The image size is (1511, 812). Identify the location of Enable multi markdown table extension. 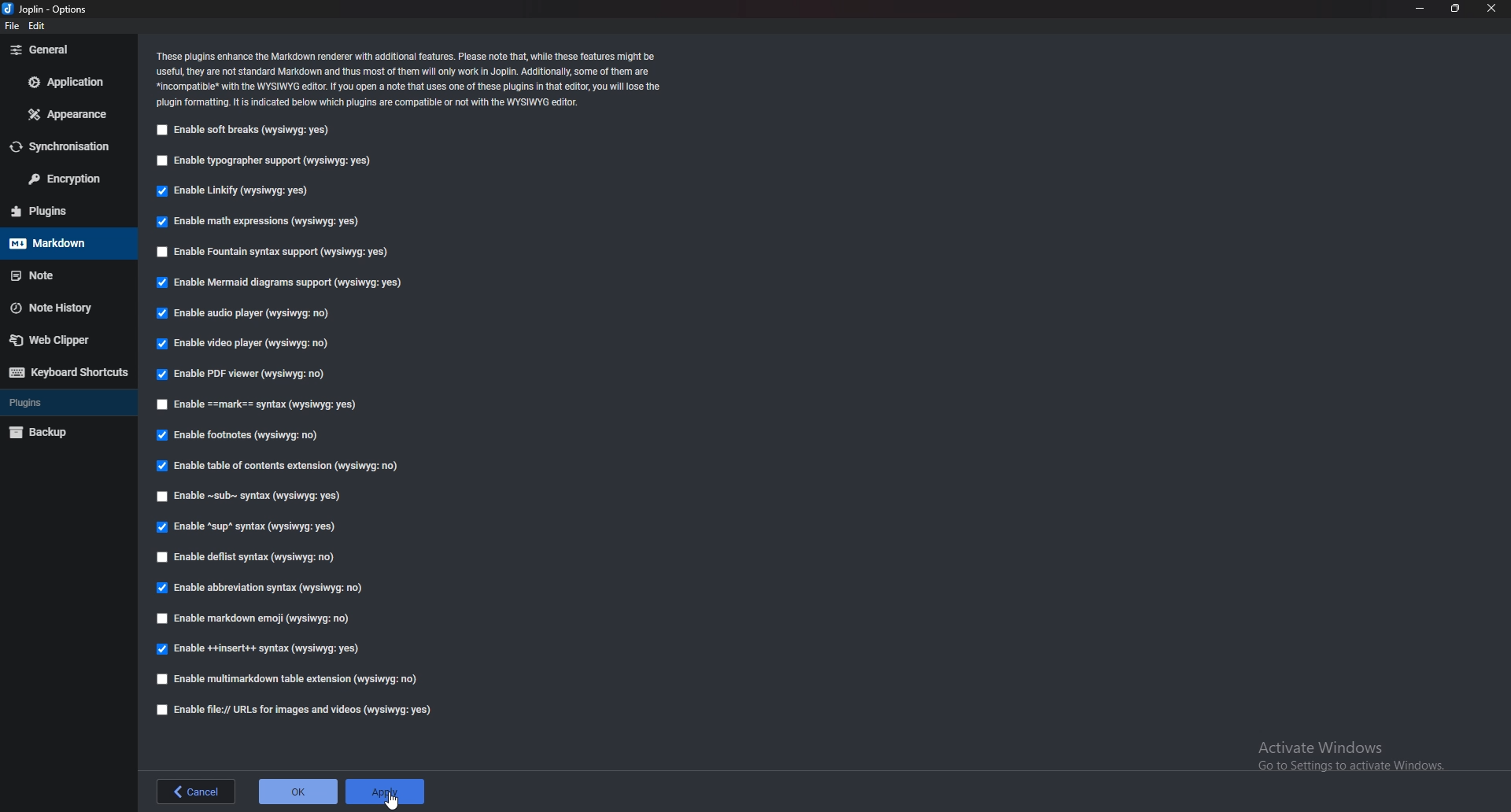
(293, 678).